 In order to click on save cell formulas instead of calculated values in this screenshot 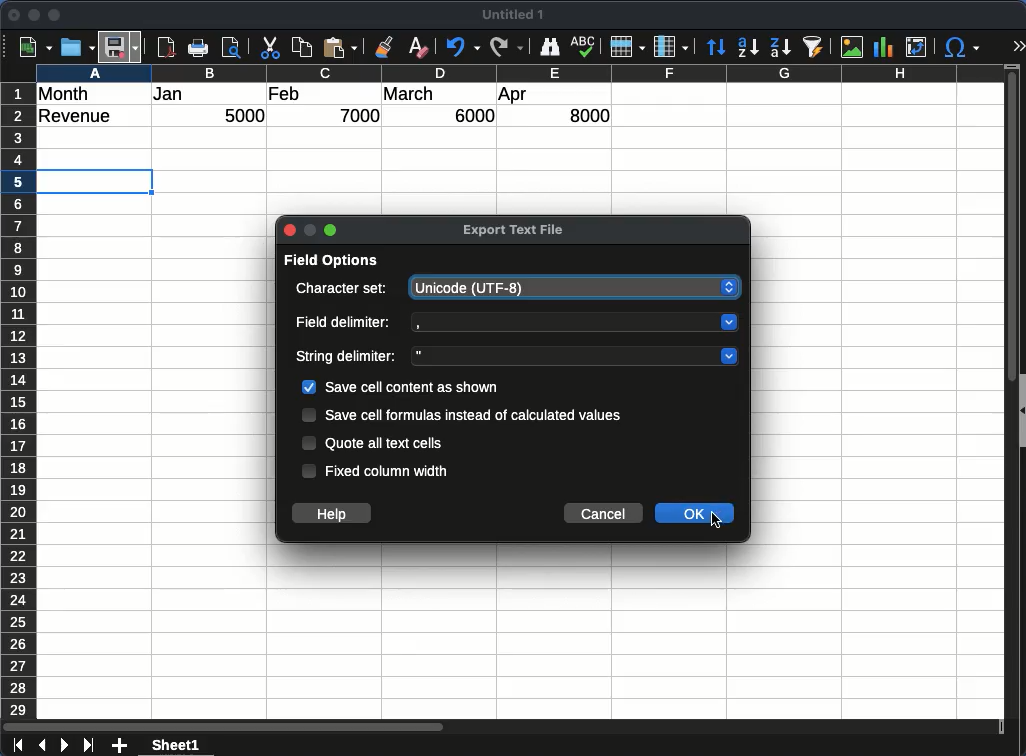, I will do `click(474, 414)`.